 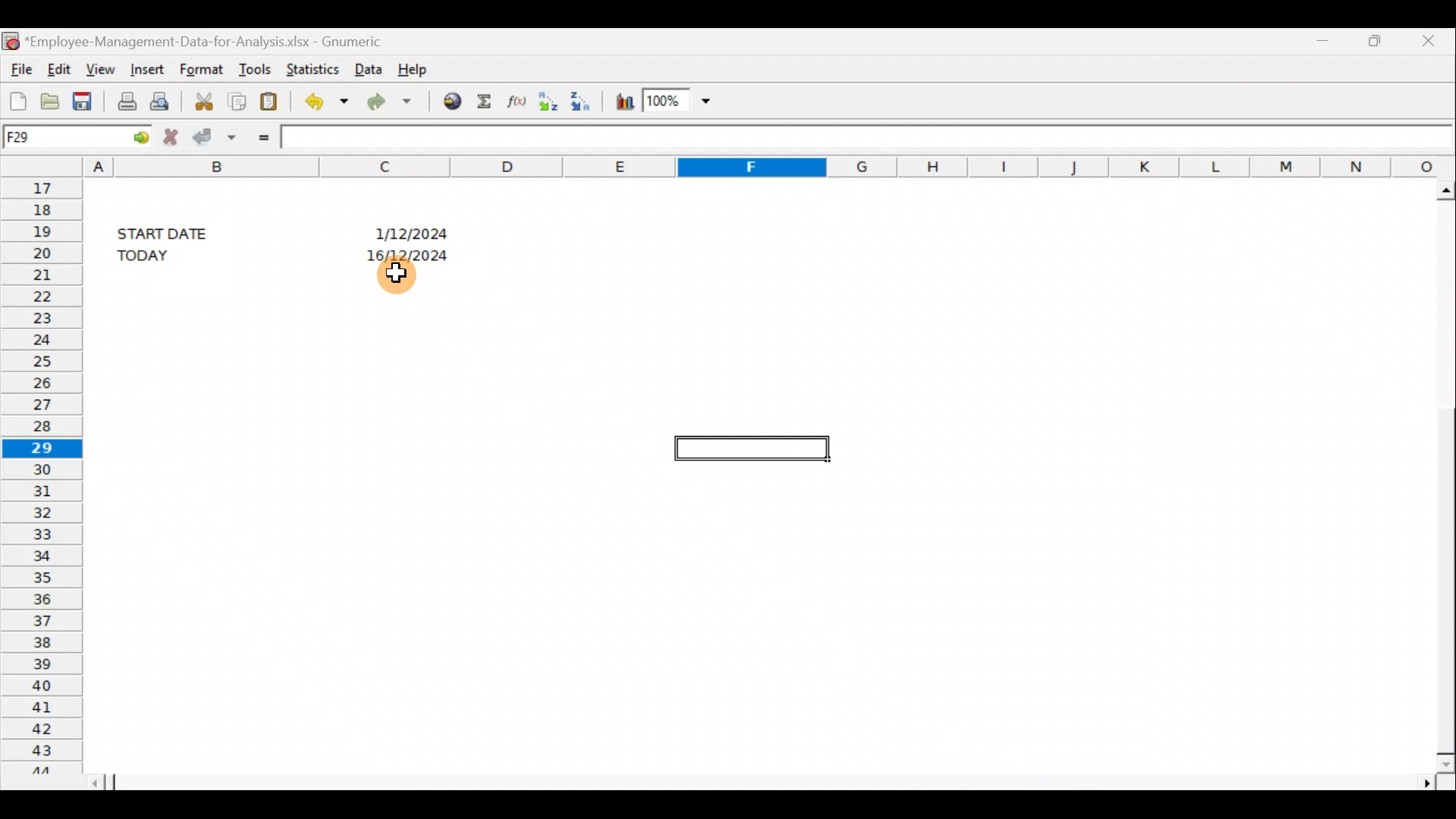 What do you see at coordinates (484, 102) in the screenshot?
I see `Sum into the current cell` at bounding box center [484, 102].